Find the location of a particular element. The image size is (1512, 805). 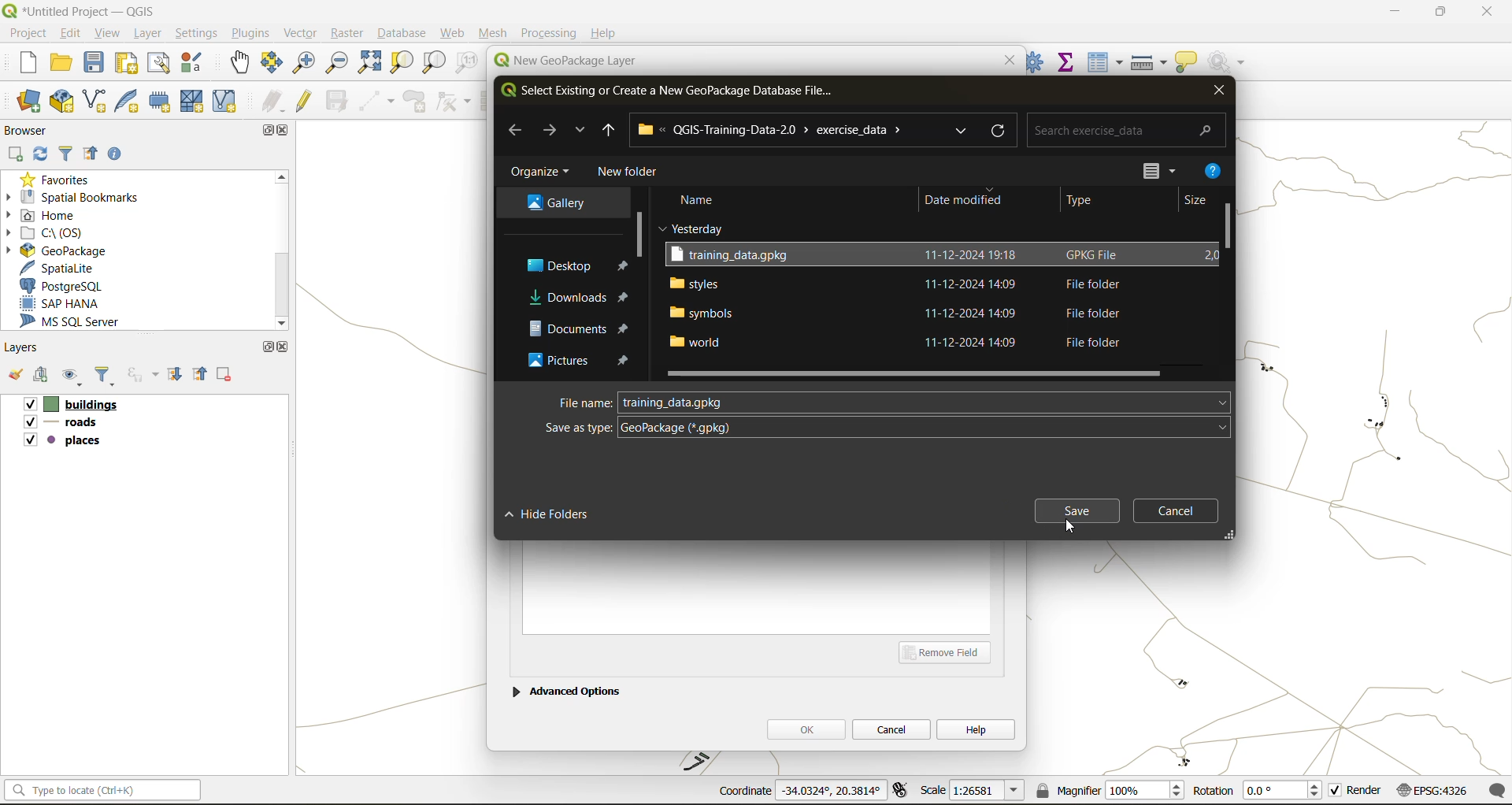

zoom full is located at coordinates (369, 63).